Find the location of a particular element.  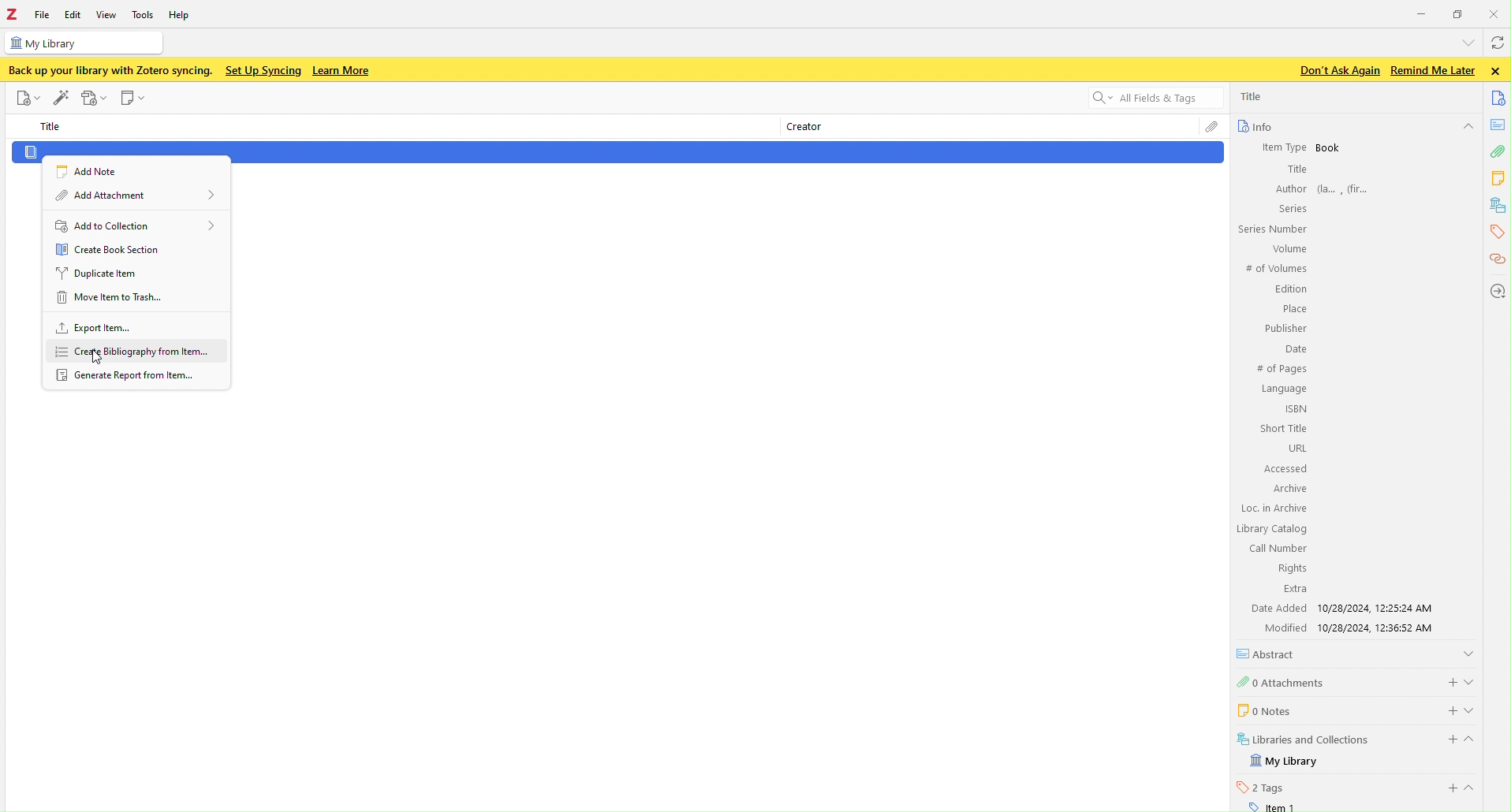

create bibliography is located at coordinates (137, 352).